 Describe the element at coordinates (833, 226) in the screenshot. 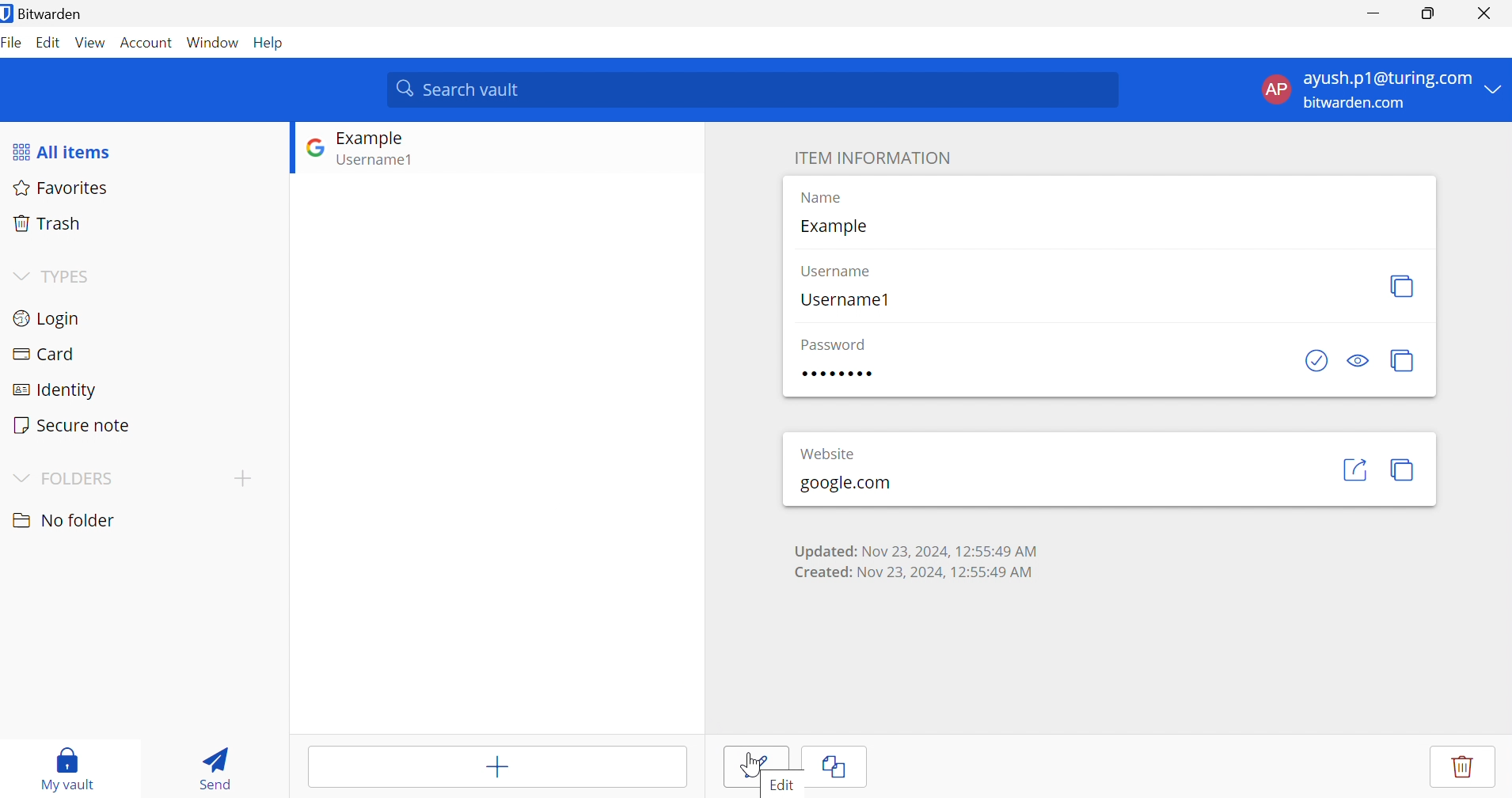

I see `Example` at that location.